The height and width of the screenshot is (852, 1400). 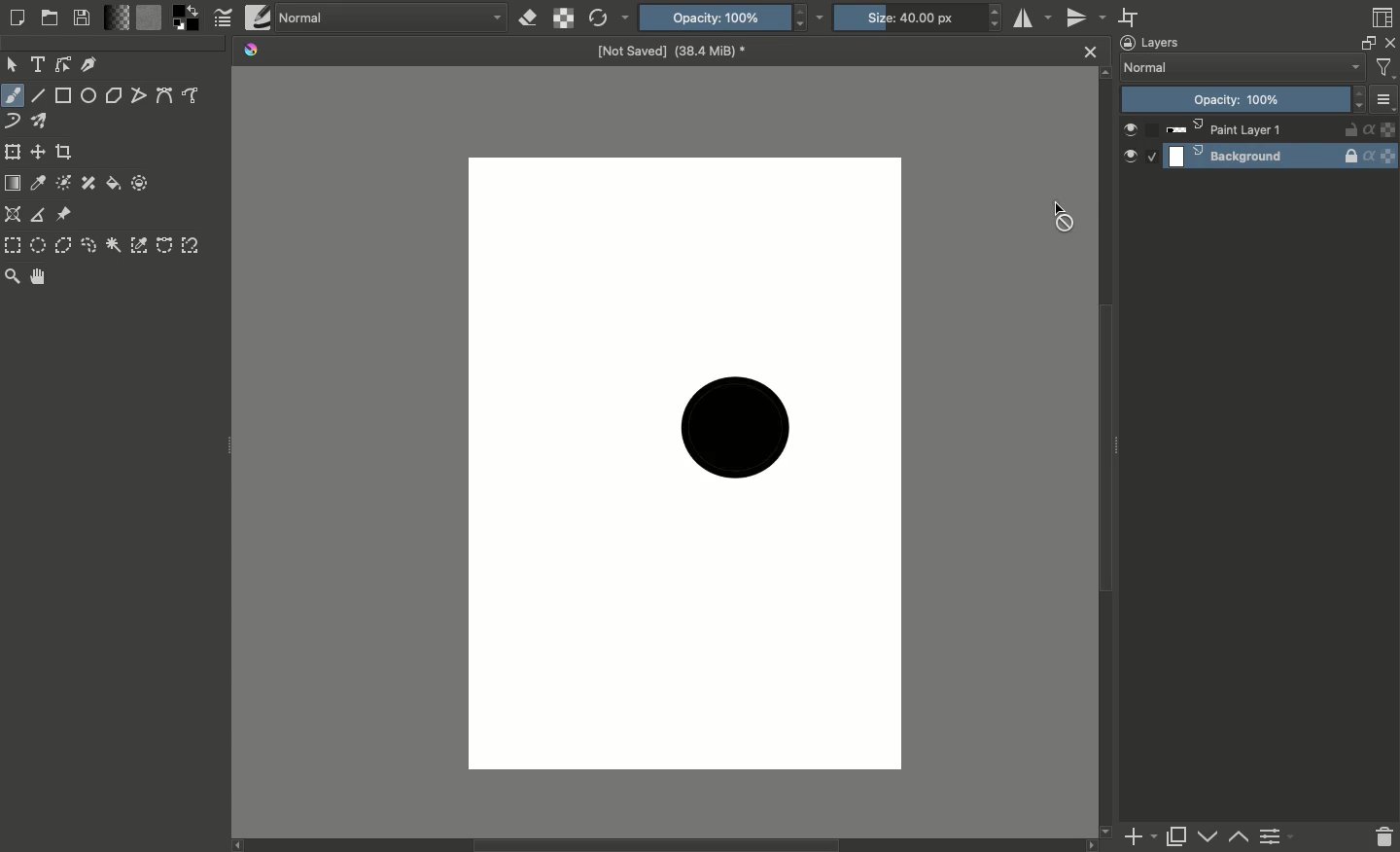 What do you see at coordinates (89, 94) in the screenshot?
I see `Ellipse` at bounding box center [89, 94].